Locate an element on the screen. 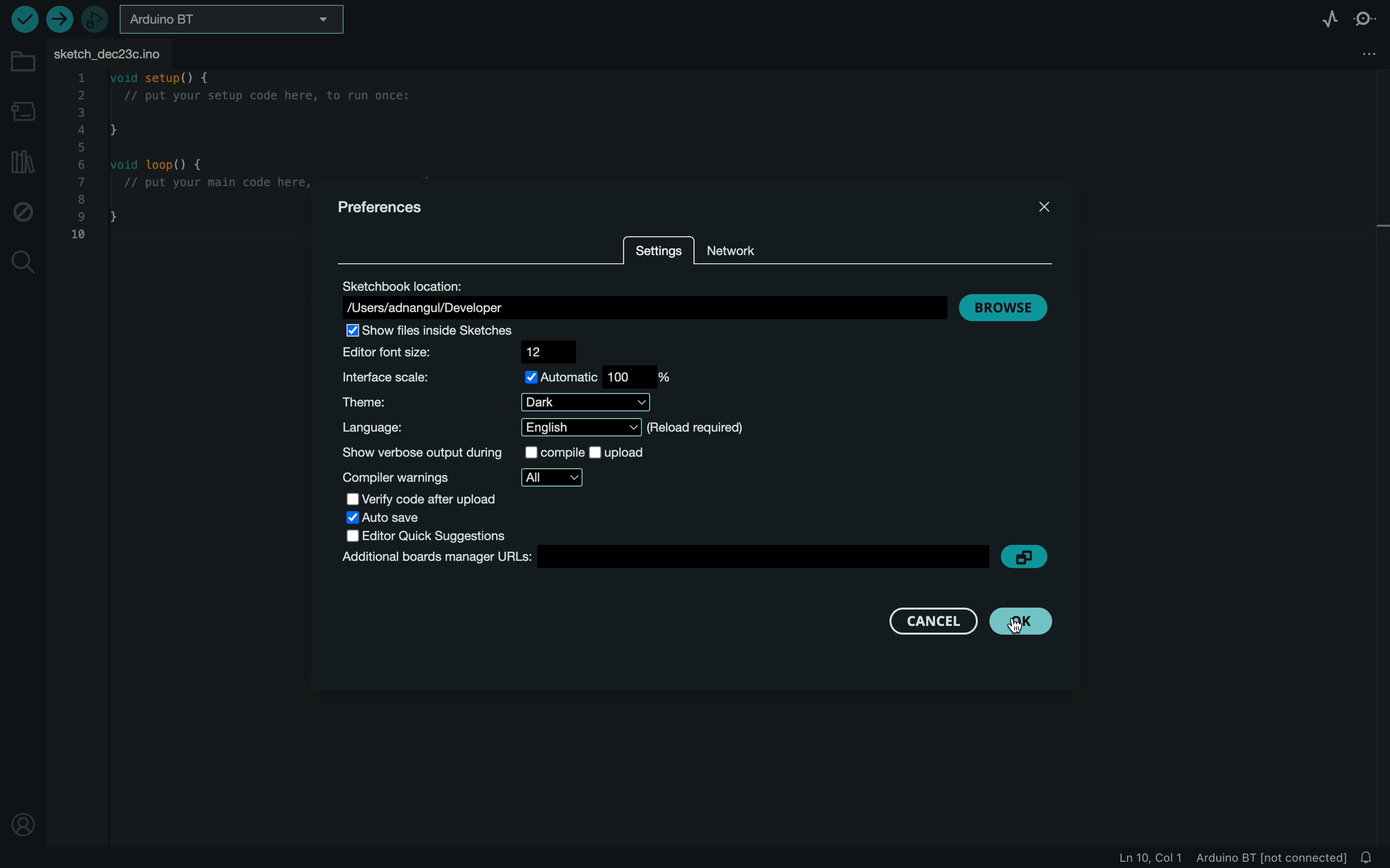 This screenshot has height=868, width=1390. library manager is located at coordinates (22, 164).